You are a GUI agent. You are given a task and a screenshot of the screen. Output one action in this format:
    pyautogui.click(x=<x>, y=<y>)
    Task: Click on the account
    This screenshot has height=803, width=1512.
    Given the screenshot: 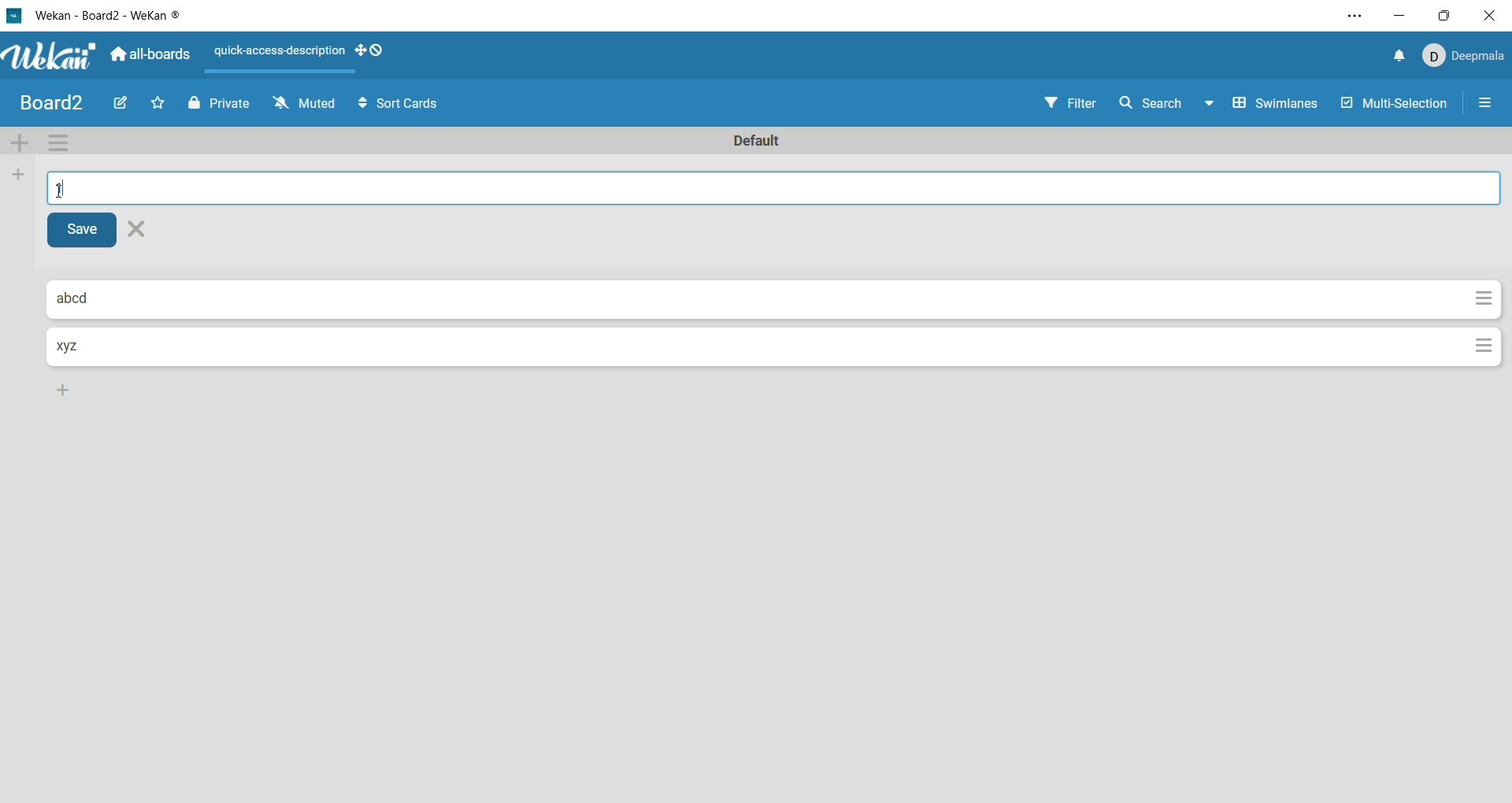 What is the action you would take?
    pyautogui.click(x=1462, y=54)
    